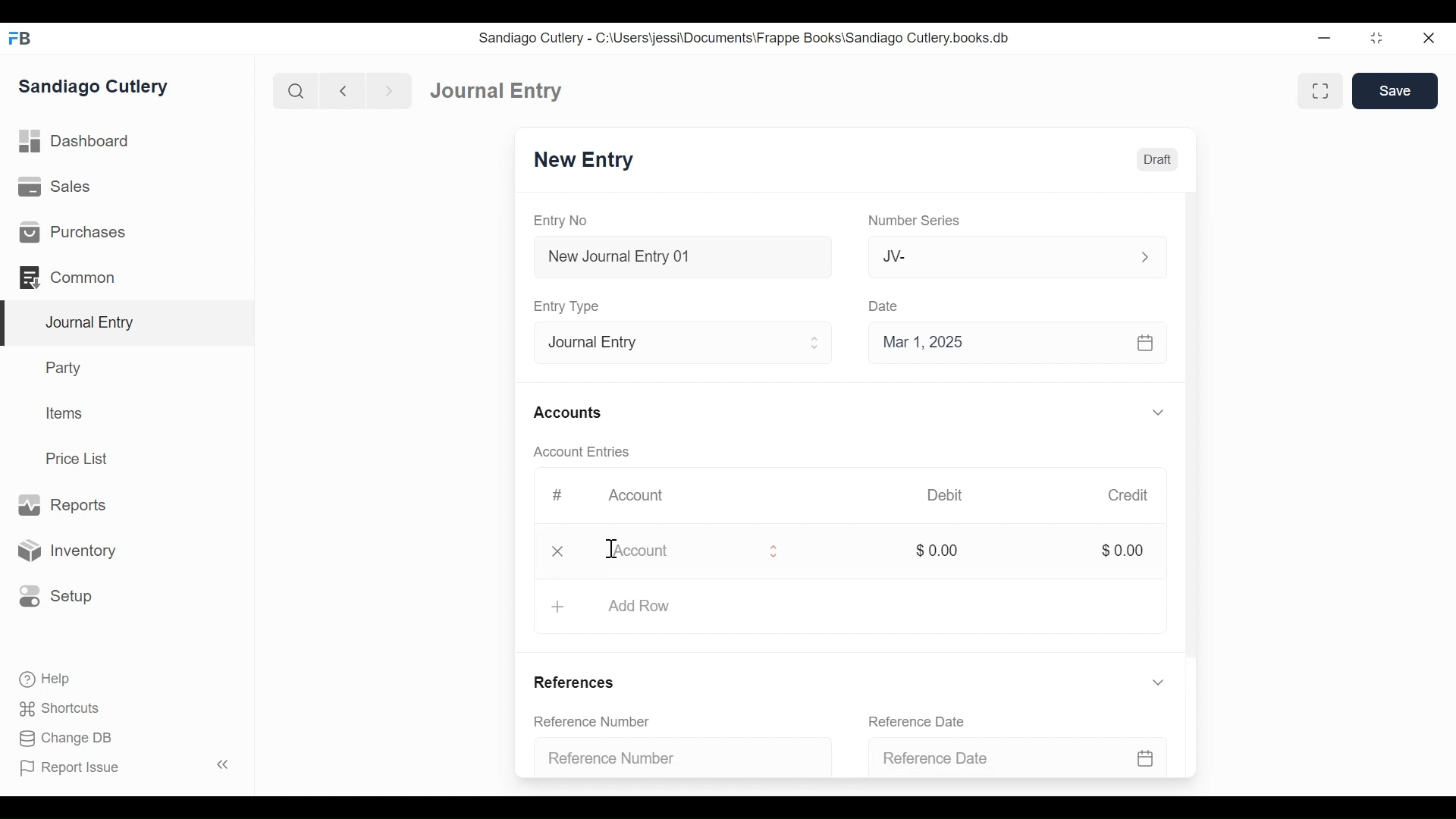 This screenshot has width=1456, height=819. I want to click on Draft, so click(1155, 159).